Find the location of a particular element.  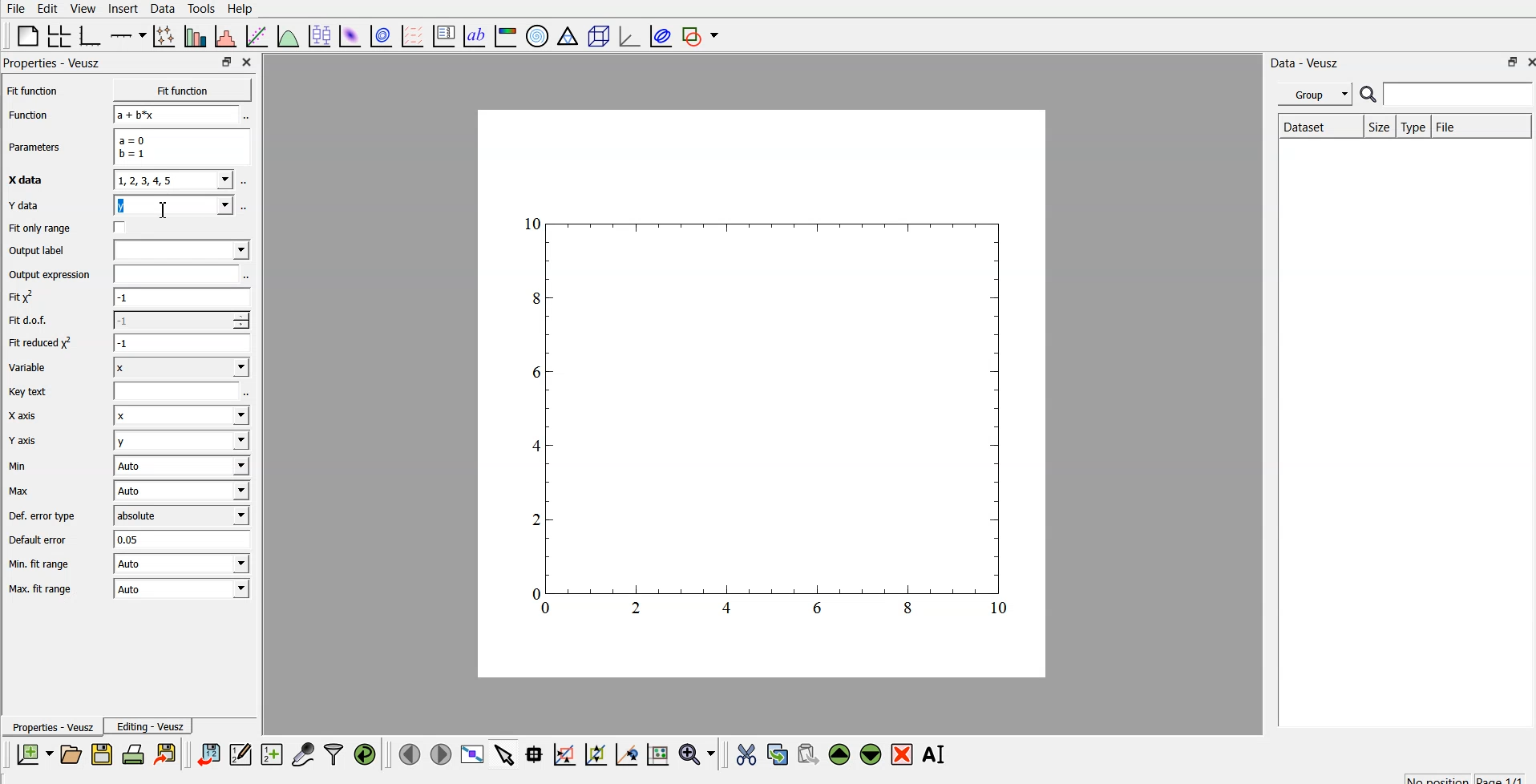

1,2,3,4,5 is located at coordinates (175, 180).